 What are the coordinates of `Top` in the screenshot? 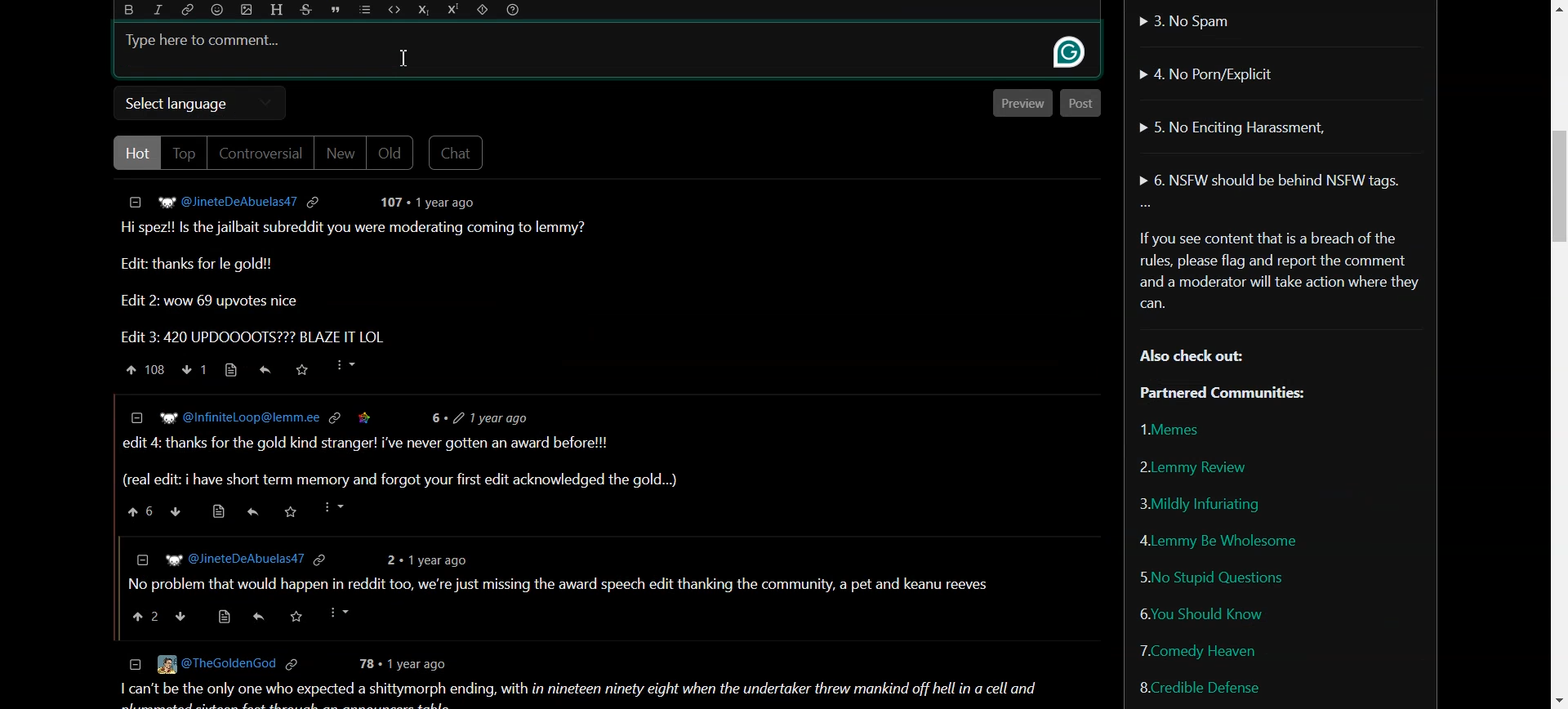 It's located at (184, 154).